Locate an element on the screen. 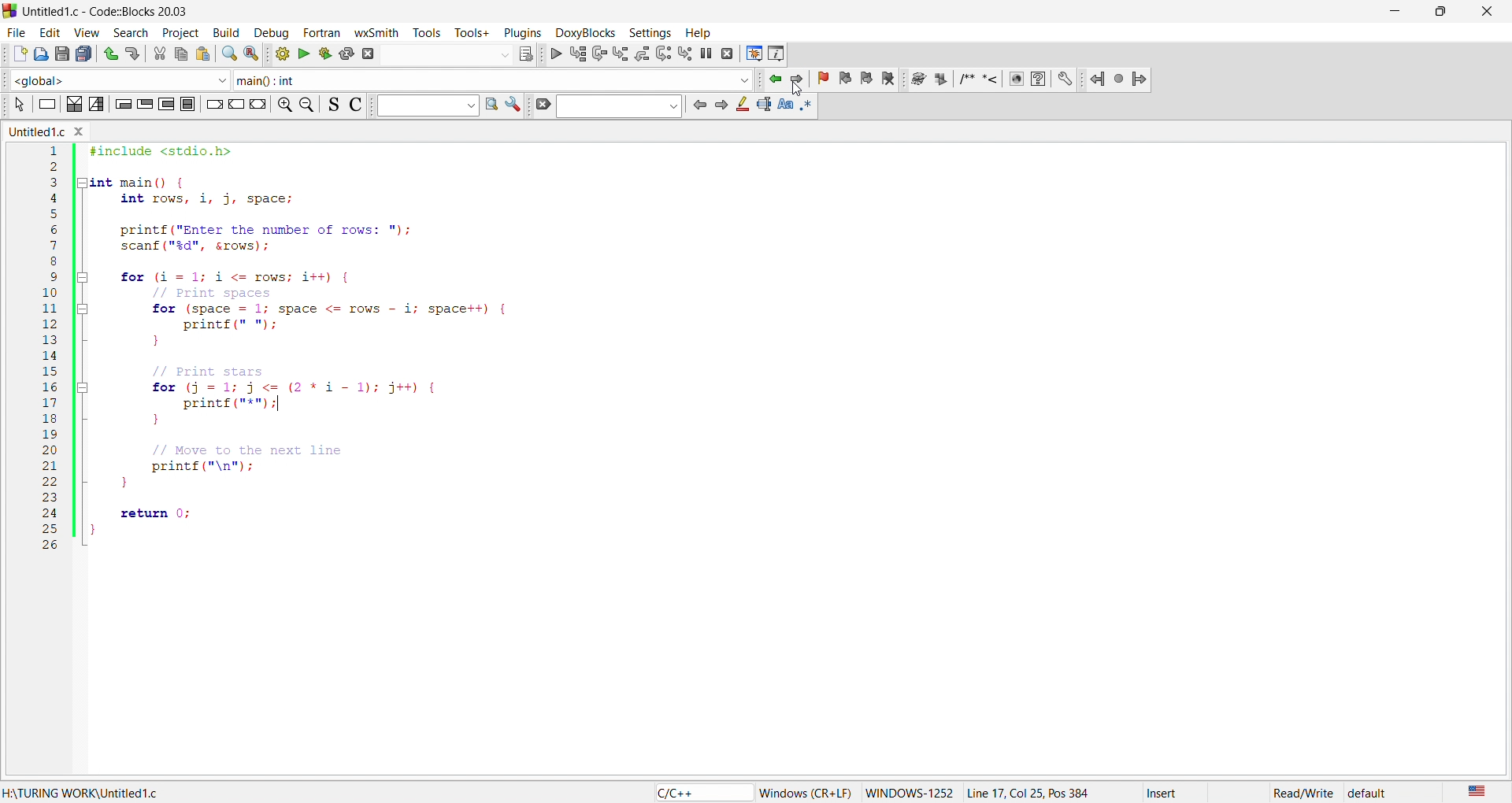 The image size is (1512, 803). debug window is located at coordinates (753, 56).